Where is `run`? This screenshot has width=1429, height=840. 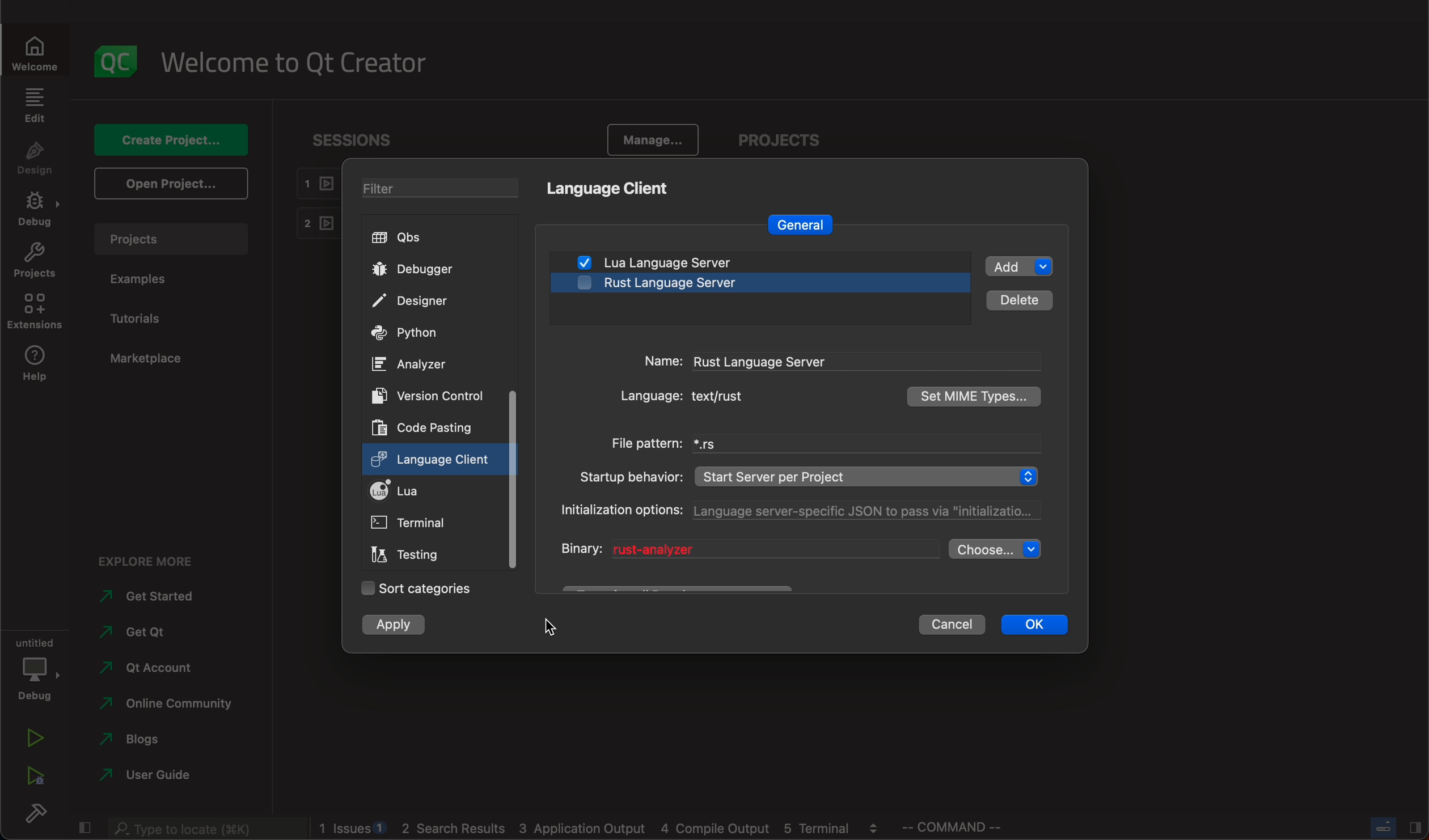
run is located at coordinates (36, 737).